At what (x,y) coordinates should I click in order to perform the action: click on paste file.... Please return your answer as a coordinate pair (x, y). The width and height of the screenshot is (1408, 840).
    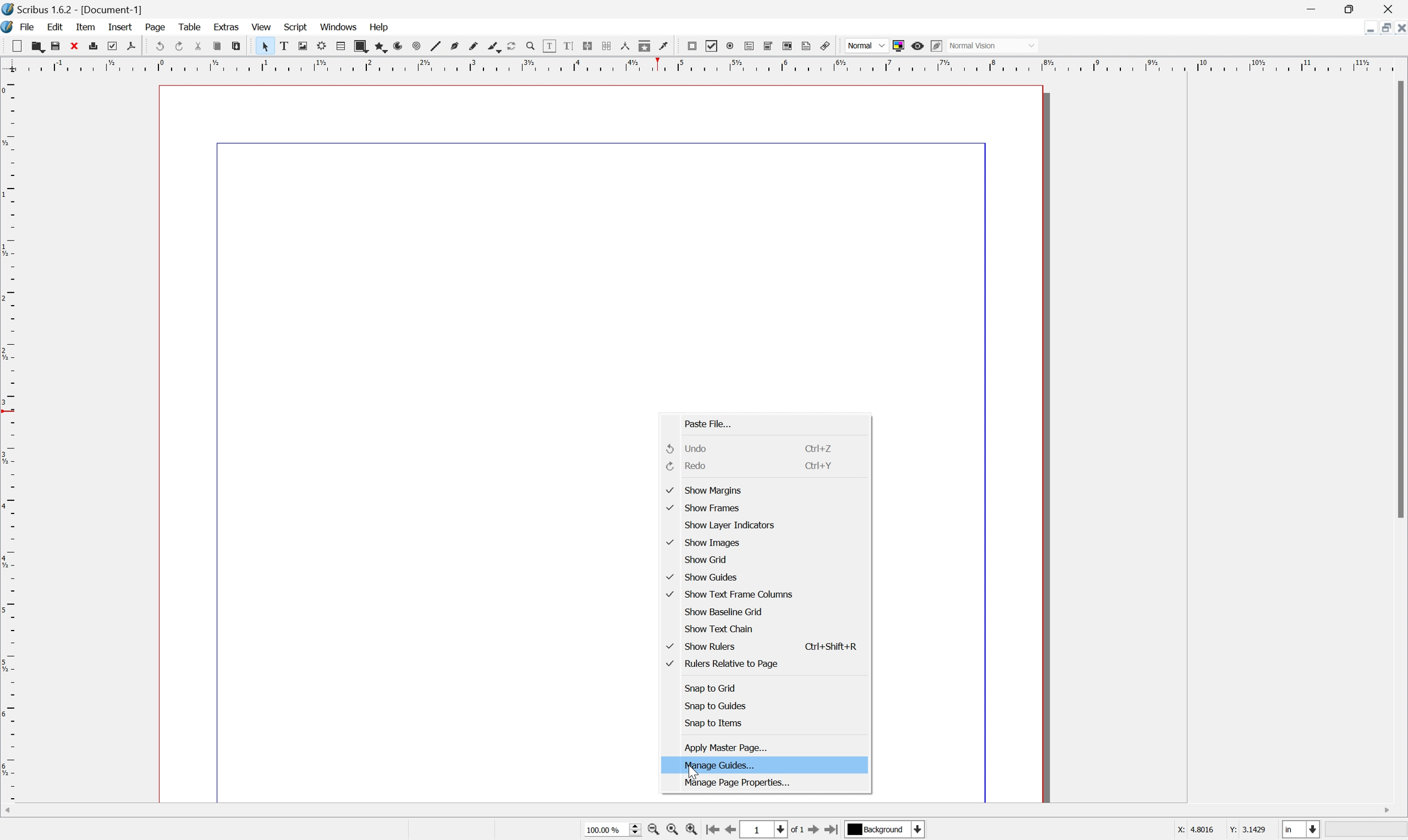
    Looking at the image, I should click on (709, 423).